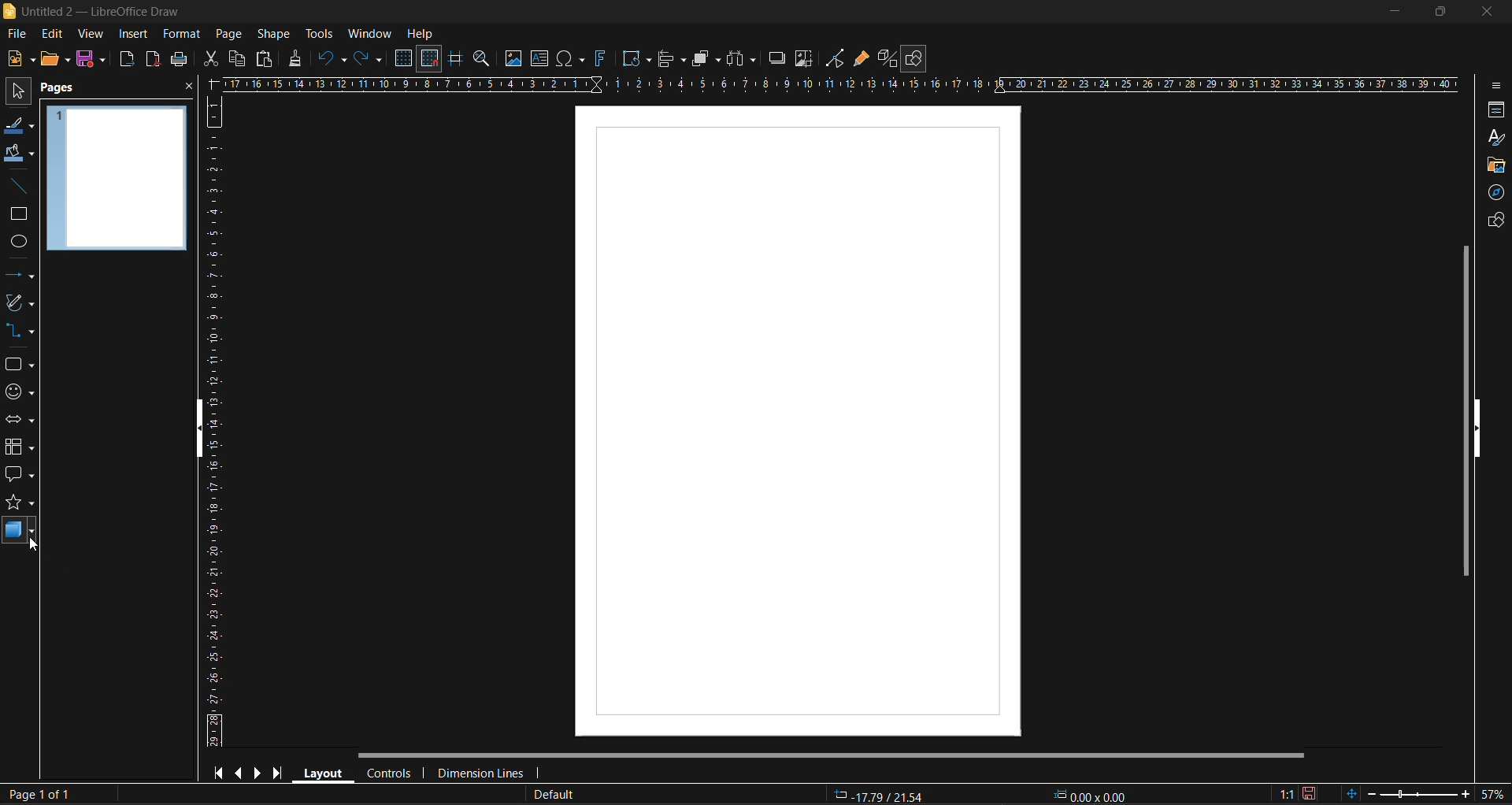 The height and width of the screenshot is (805, 1512). Describe the element at coordinates (54, 58) in the screenshot. I see `open` at that location.